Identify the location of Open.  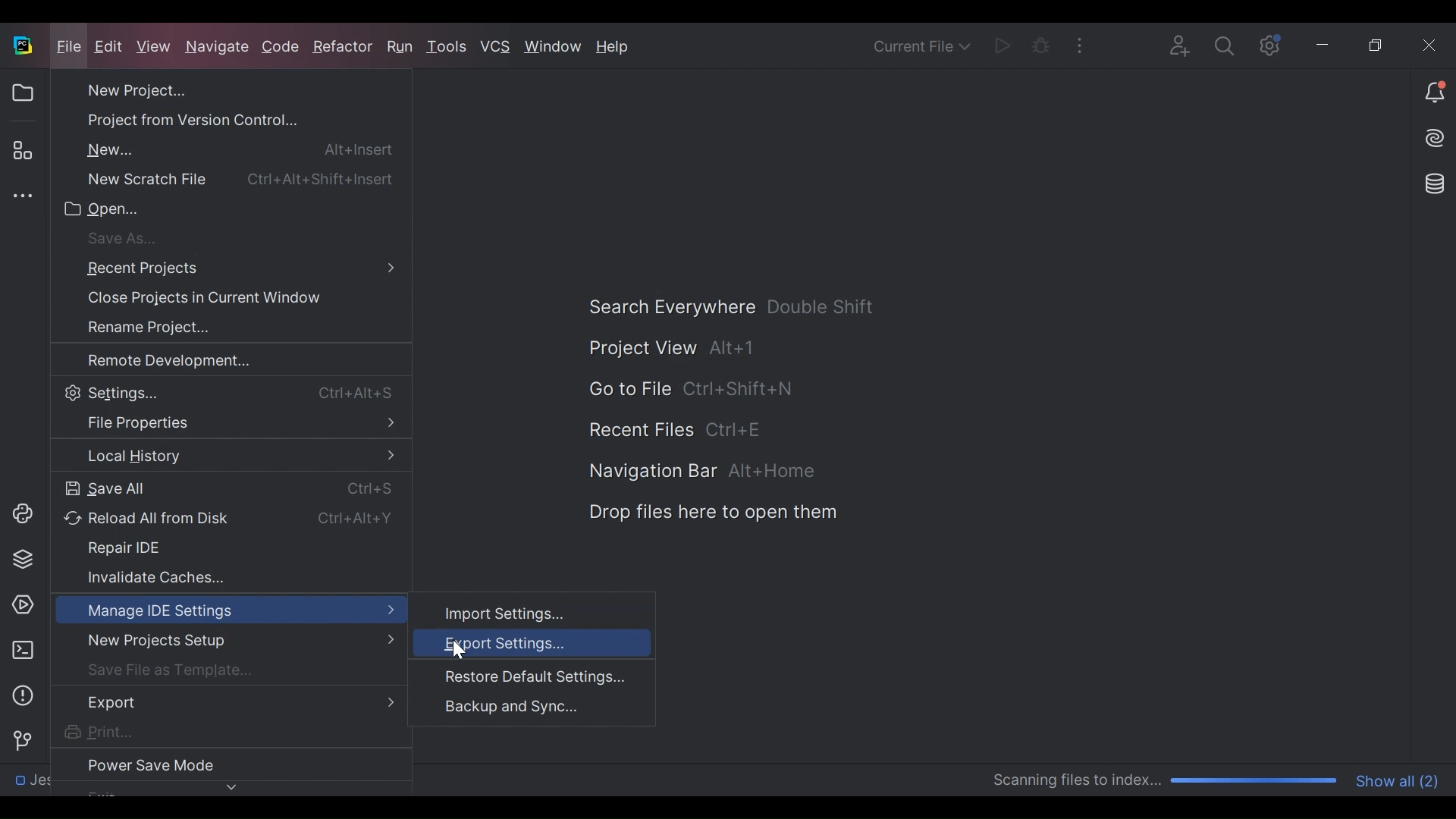
(205, 209).